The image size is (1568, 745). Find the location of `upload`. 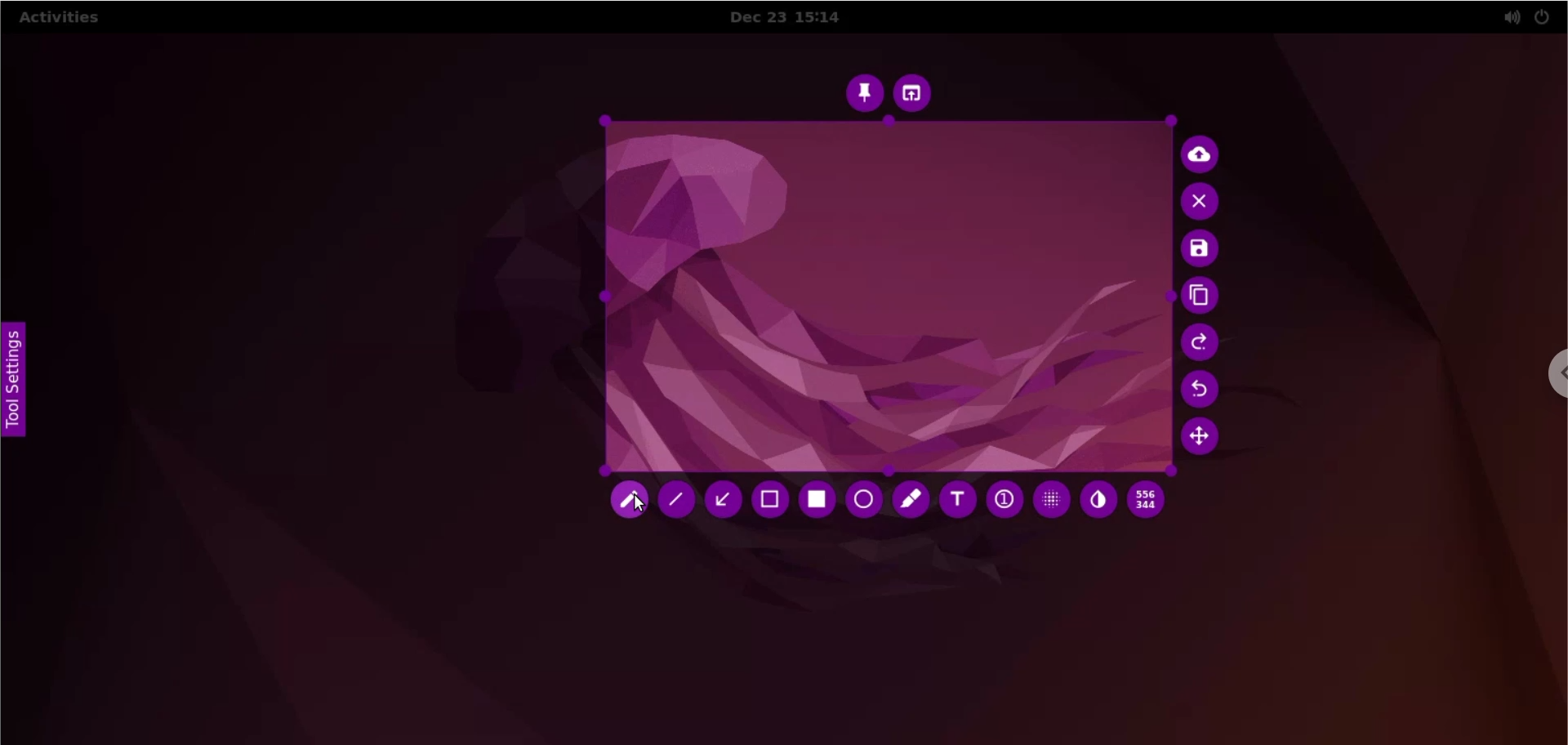

upload is located at coordinates (1205, 156).